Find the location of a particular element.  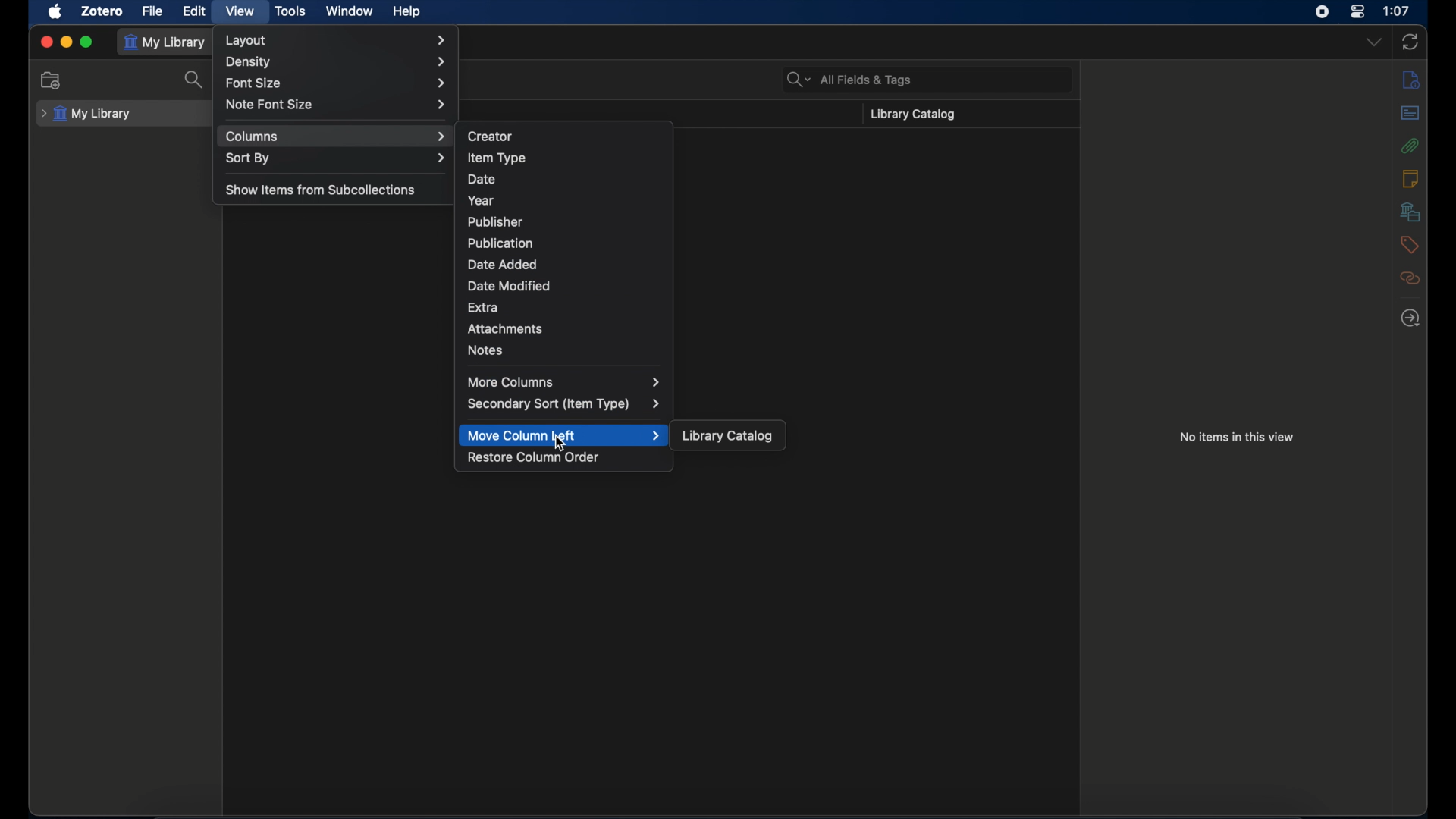

sync is located at coordinates (1410, 42).